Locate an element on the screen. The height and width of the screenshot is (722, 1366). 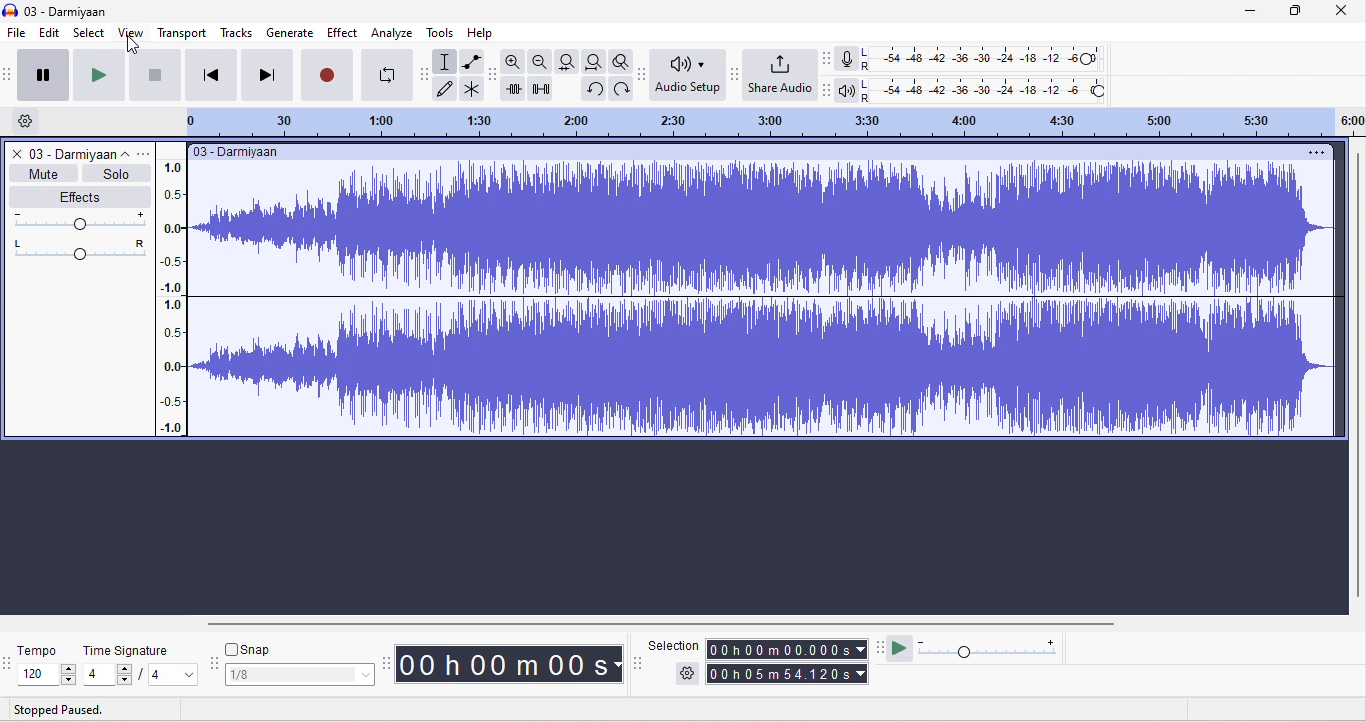
audacity audio set up toolbar is located at coordinates (644, 74).